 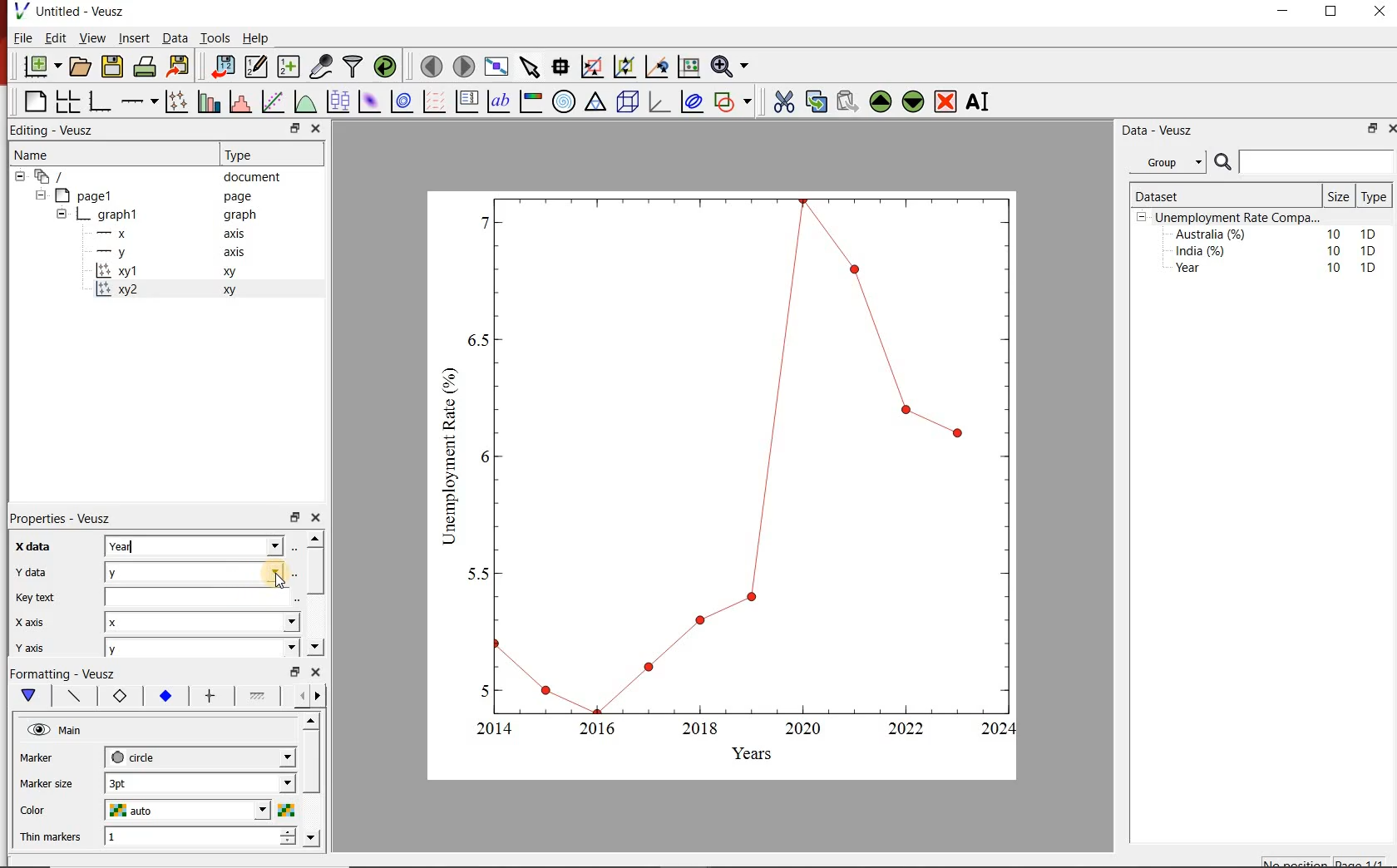 What do you see at coordinates (67, 101) in the screenshot?
I see `arrange graphs` at bounding box center [67, 101].